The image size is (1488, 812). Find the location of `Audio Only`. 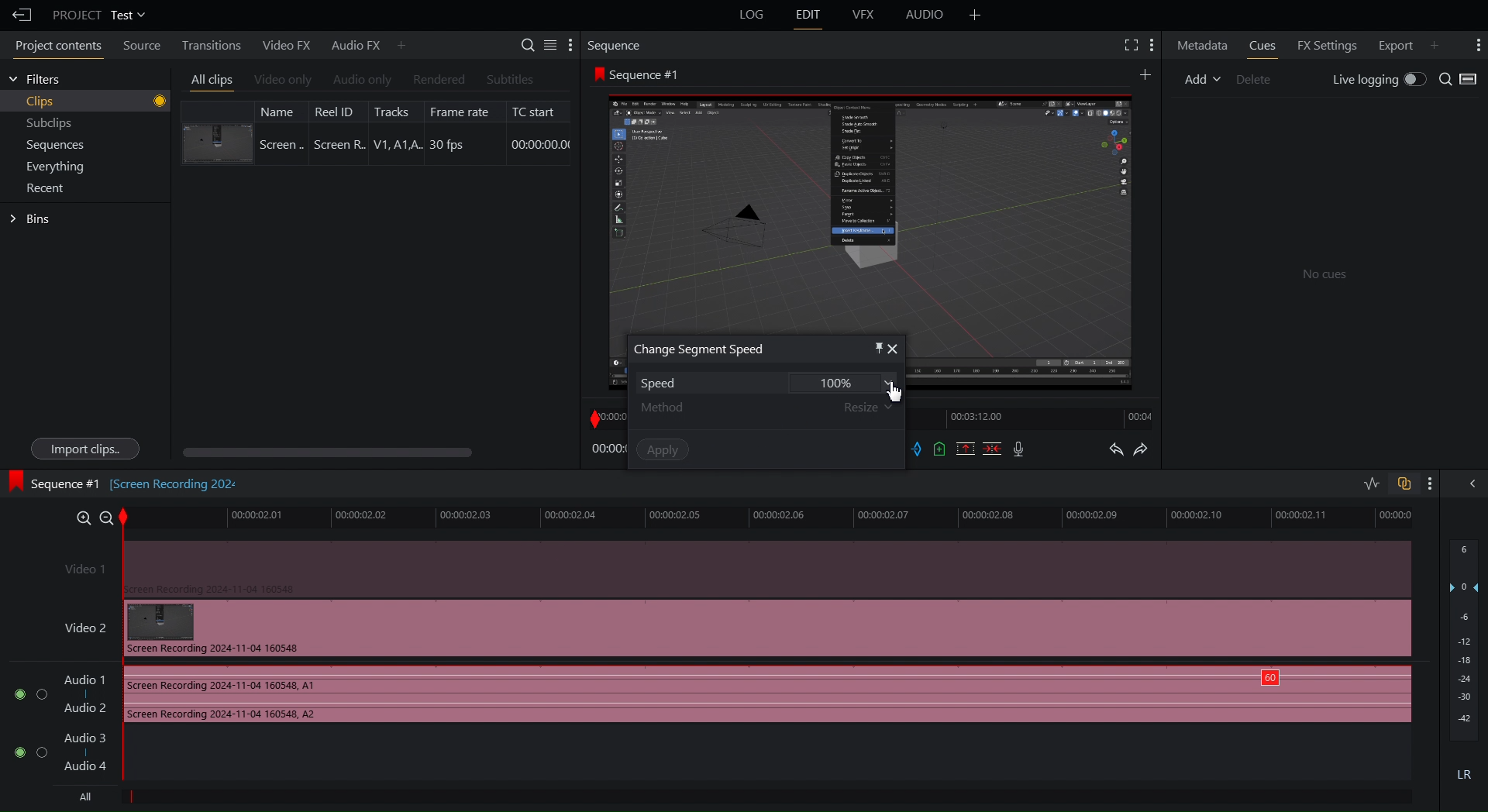

Audio Only is located at coordinates (361, 81).